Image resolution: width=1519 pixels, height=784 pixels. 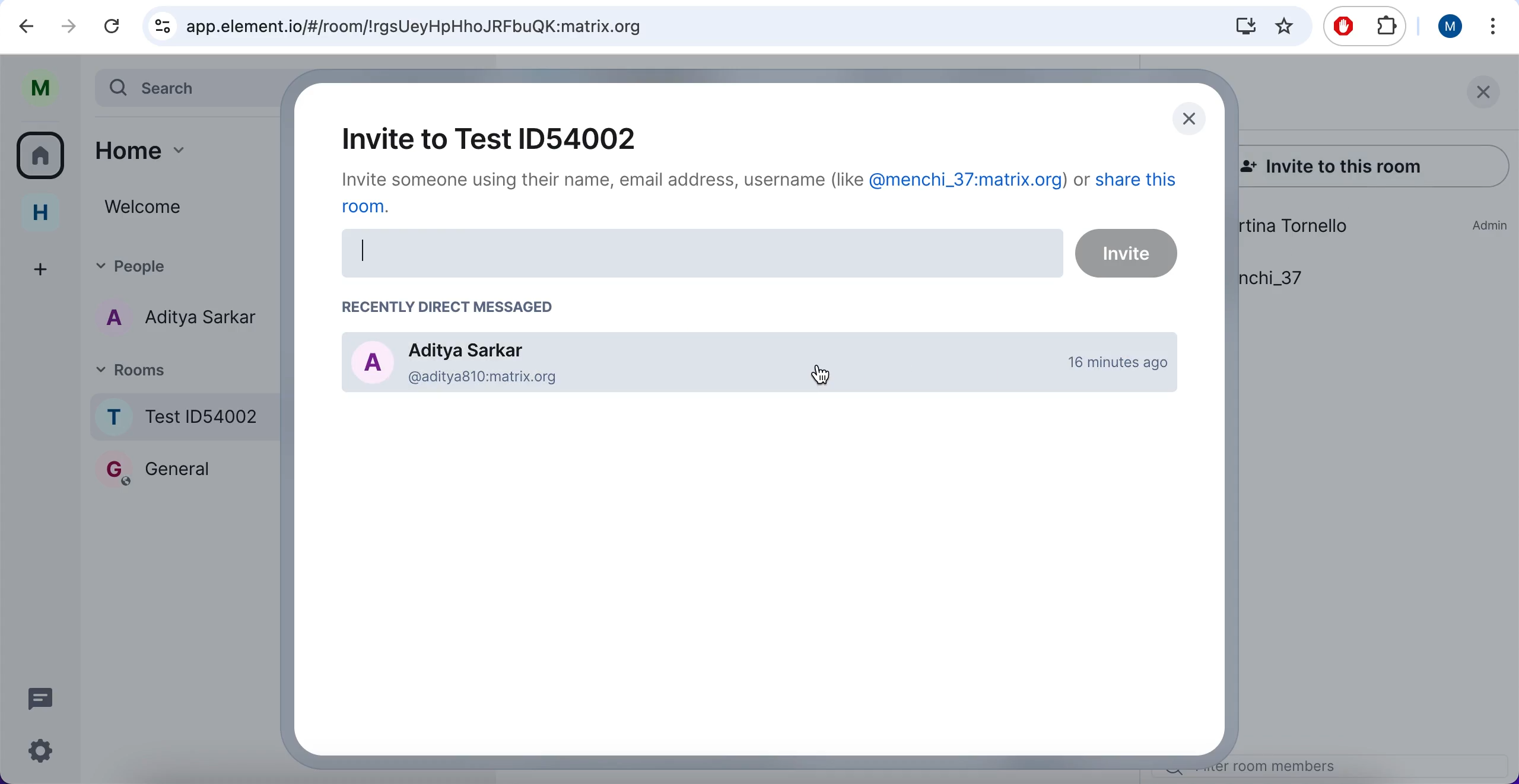 I want to click on close, so click(x=1190, y=123).